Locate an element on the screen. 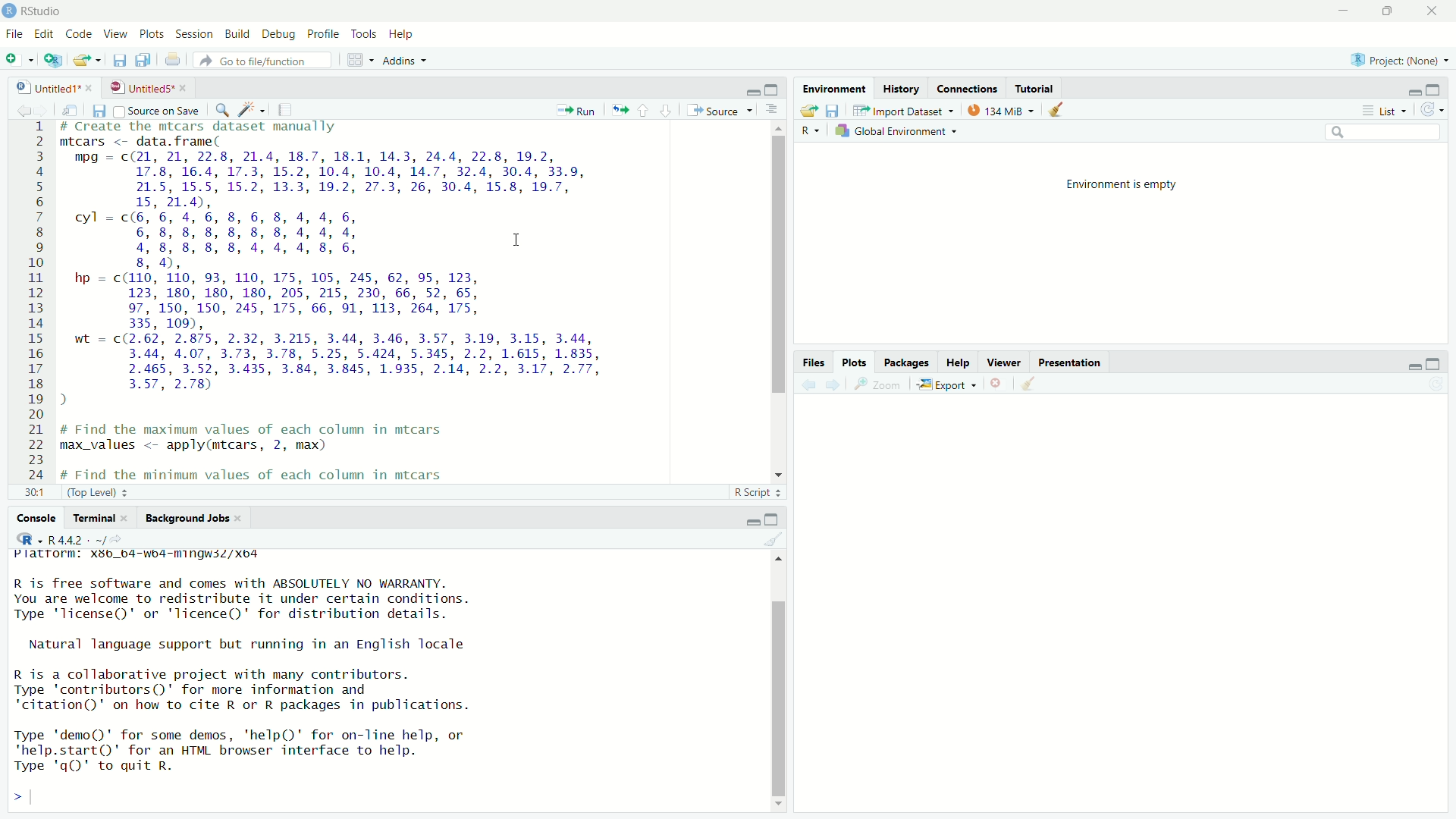 This screenshot has height=819, width=1456. 30:1 (Top Level) + is located at coordinates (75, 494).